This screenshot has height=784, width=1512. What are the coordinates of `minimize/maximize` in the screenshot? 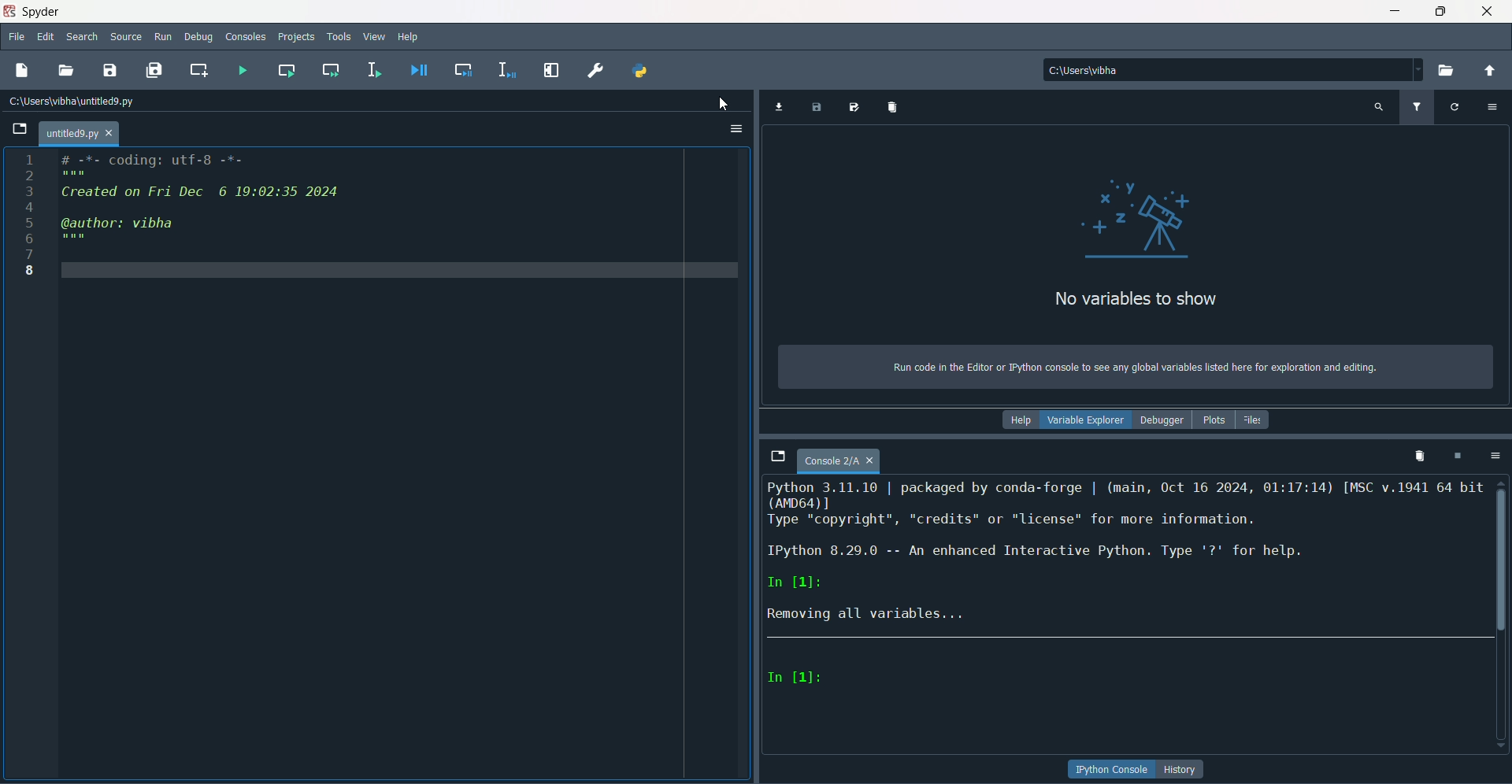 It's located at (1440, 11).